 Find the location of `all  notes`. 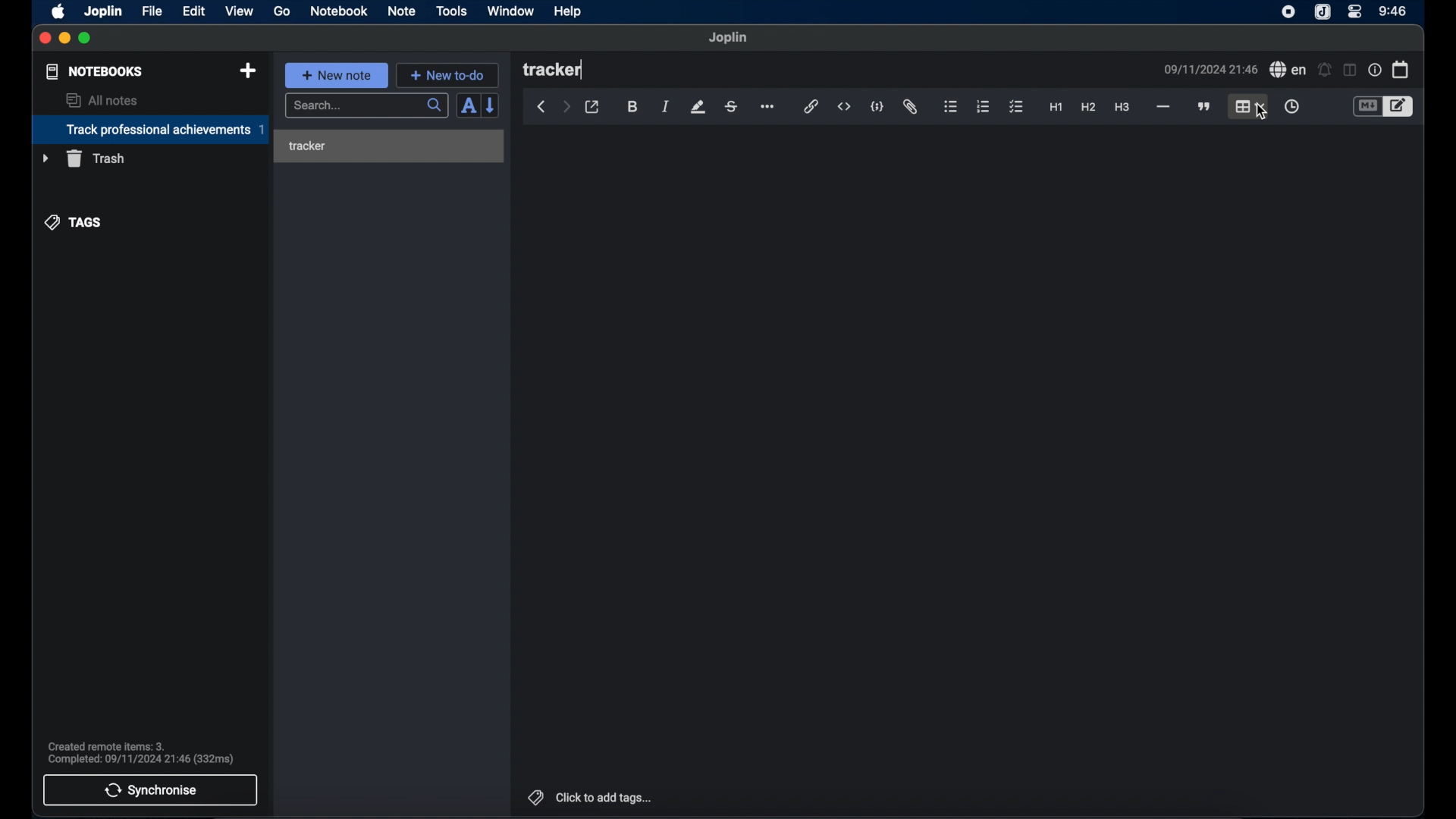

all  notes is located at coordinates (102, 100).